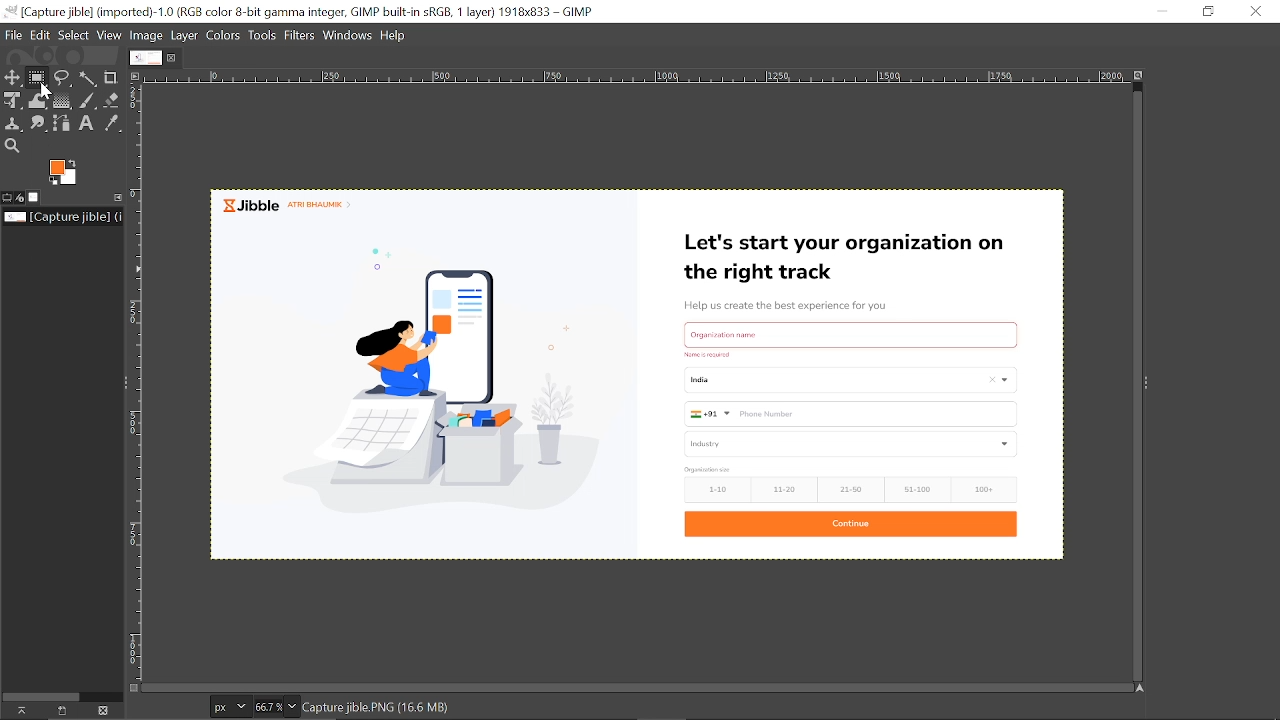  What do you see at coordinates (142, 383) in the screenshot?
I see `vertical ruler` at bounding box center [142, 383].